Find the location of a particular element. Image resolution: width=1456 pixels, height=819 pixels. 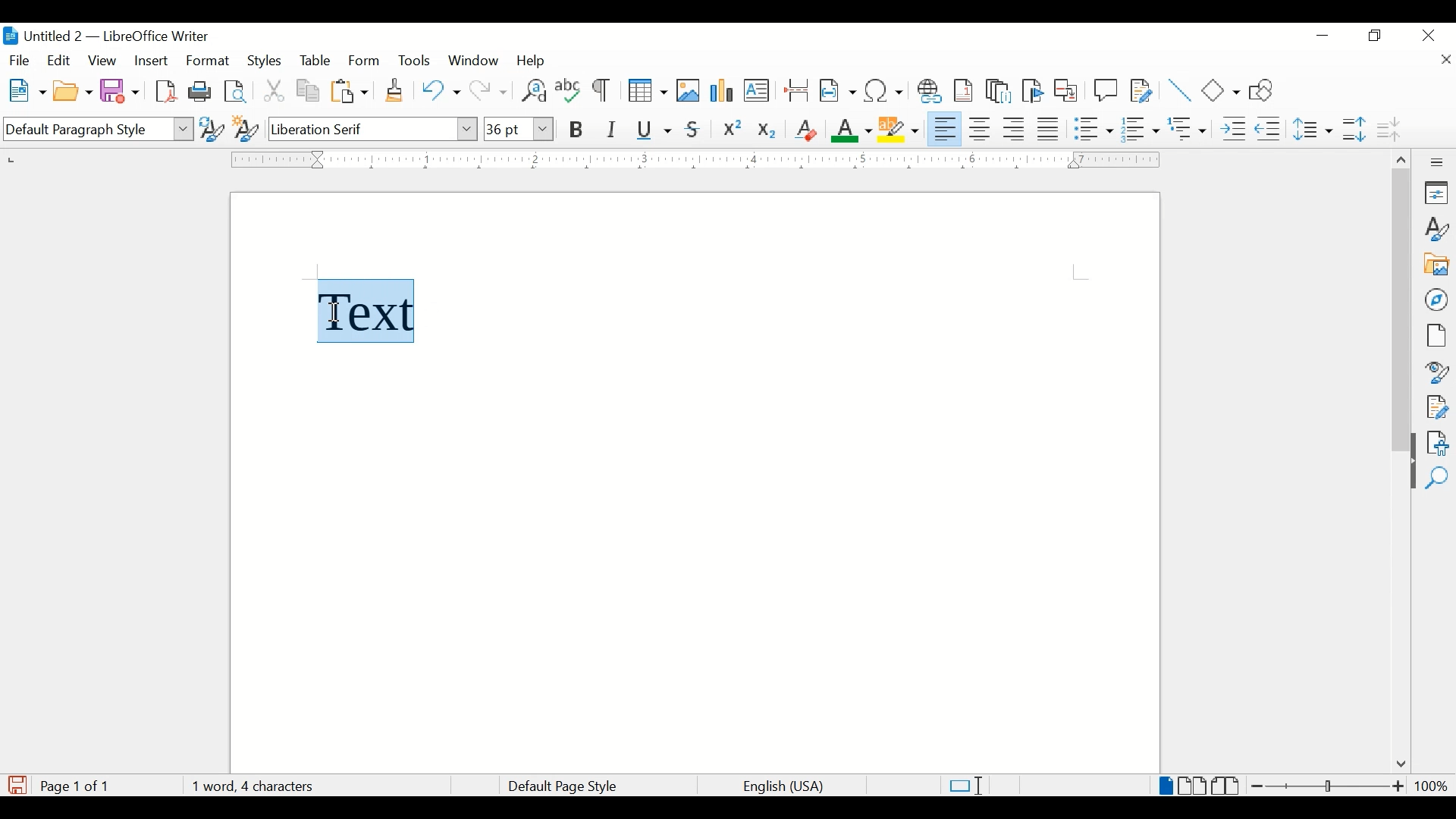

cursor is located at coordinates (336, 313).